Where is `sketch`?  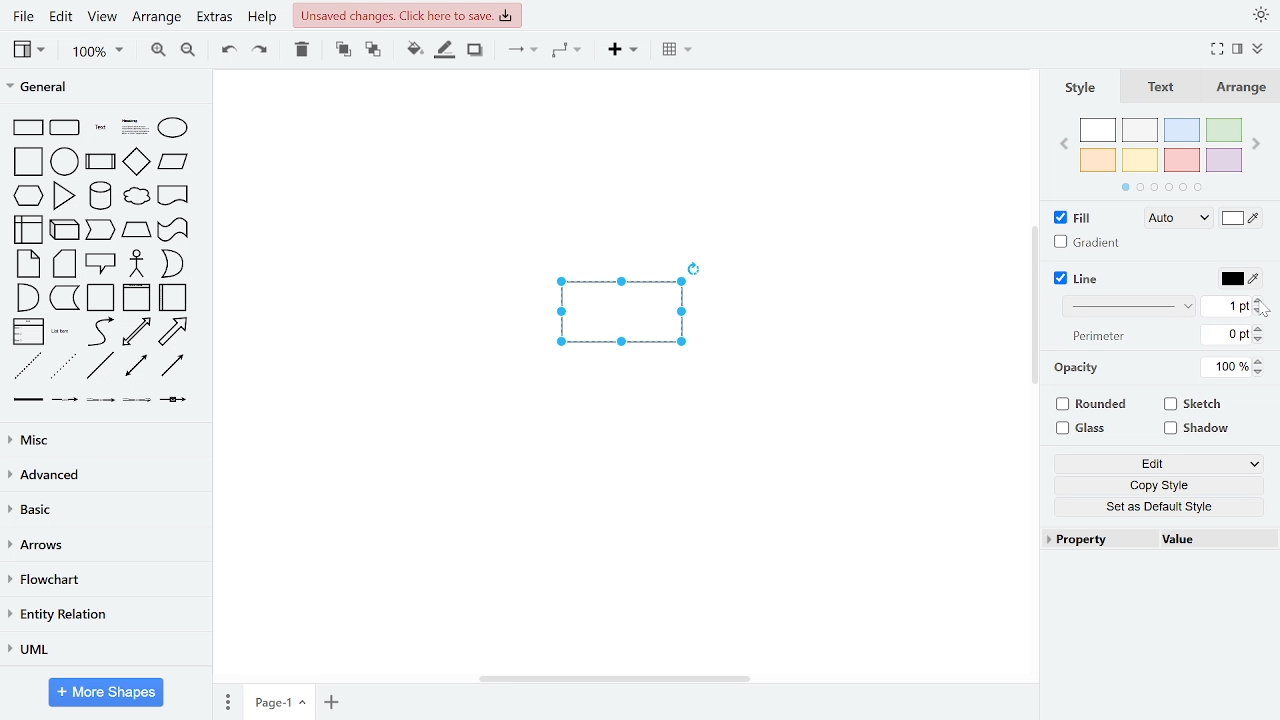 sketch is located at coordinates (1197, 404).